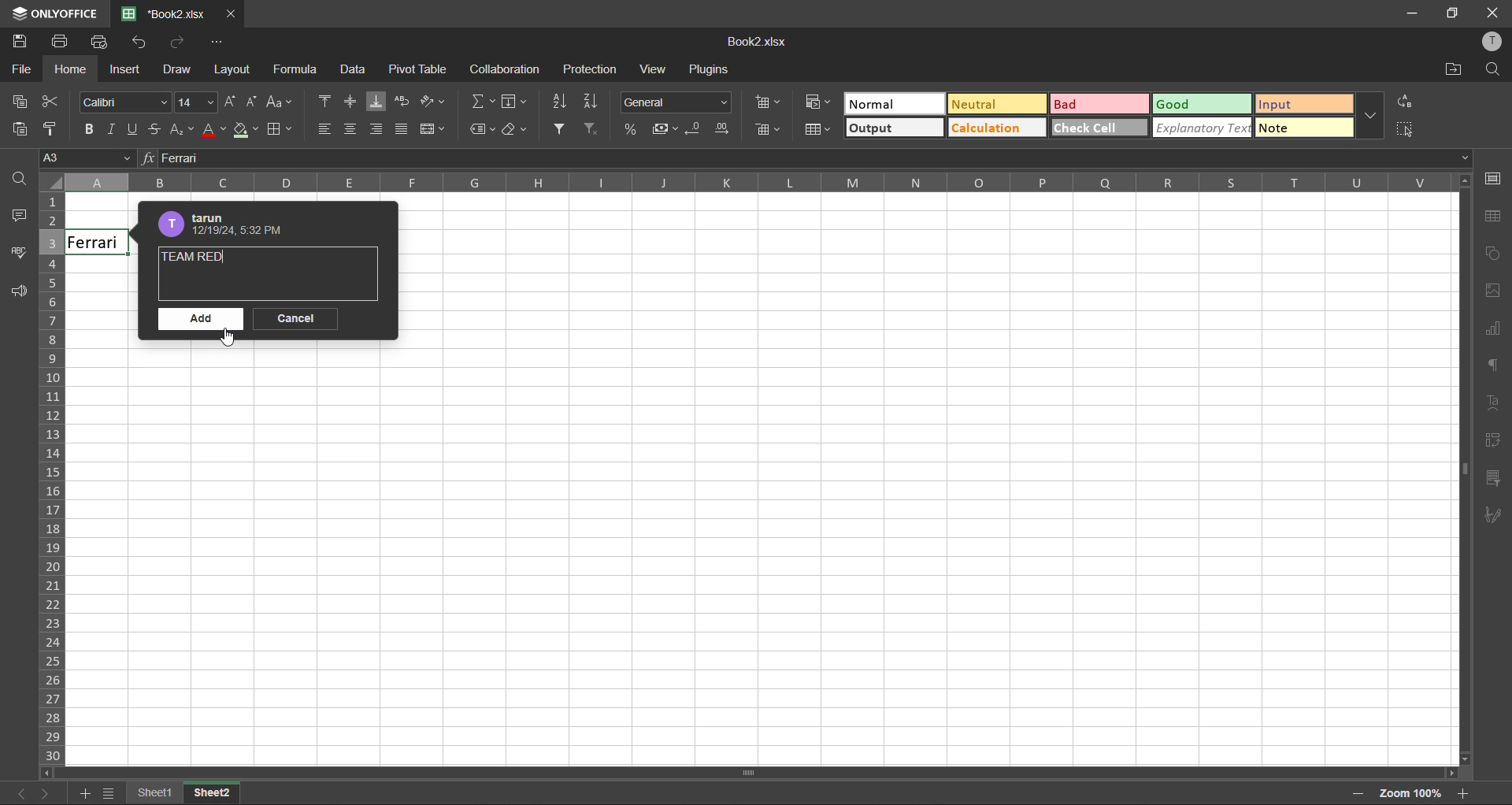 This screenshot has height=805, width=1512. What do you see at coordinates (18, 102) in the screenshot?
I see `copy` at bounding box center [18, 102].